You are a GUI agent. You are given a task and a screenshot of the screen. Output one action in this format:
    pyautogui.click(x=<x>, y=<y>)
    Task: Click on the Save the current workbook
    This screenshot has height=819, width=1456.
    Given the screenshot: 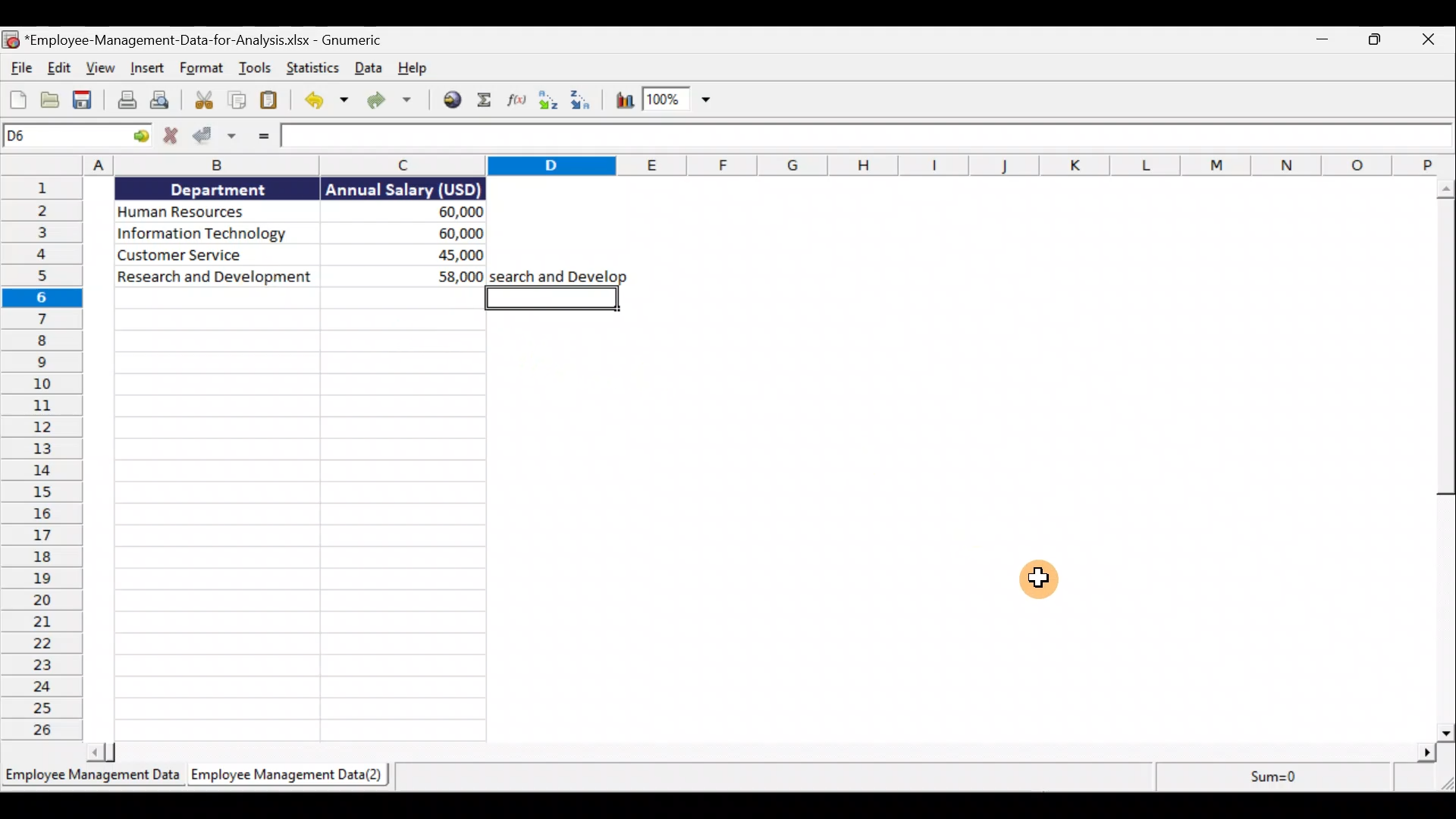 What is the action you would take?
    pyautogui.click(x=81, y=99)
    